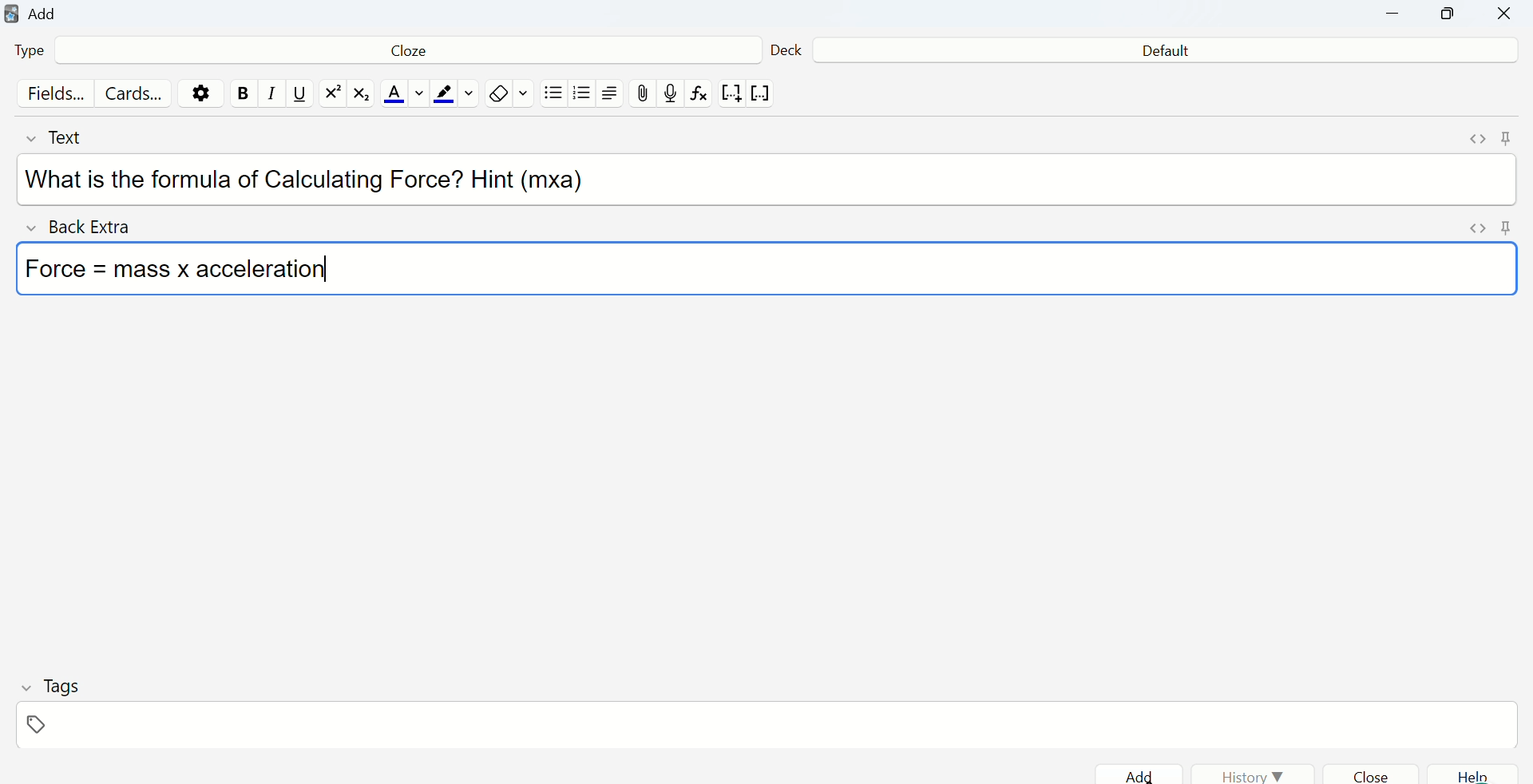 This screenshot has width=1533, height=784. I want to click on Default, so click(1159, 52).